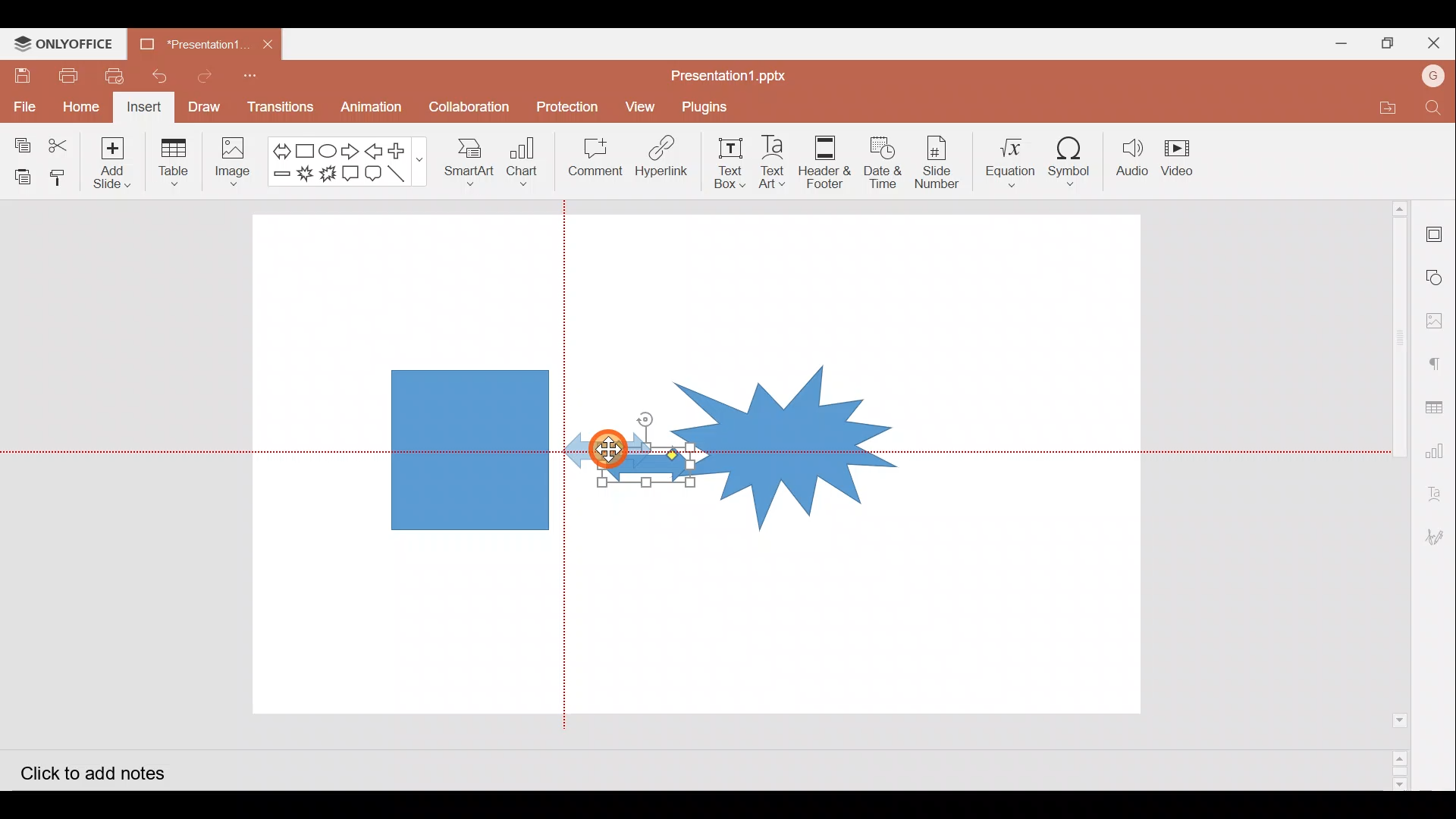  Describe the element at coordinates (636, 107) in the screenshot. I see `View` at that location.